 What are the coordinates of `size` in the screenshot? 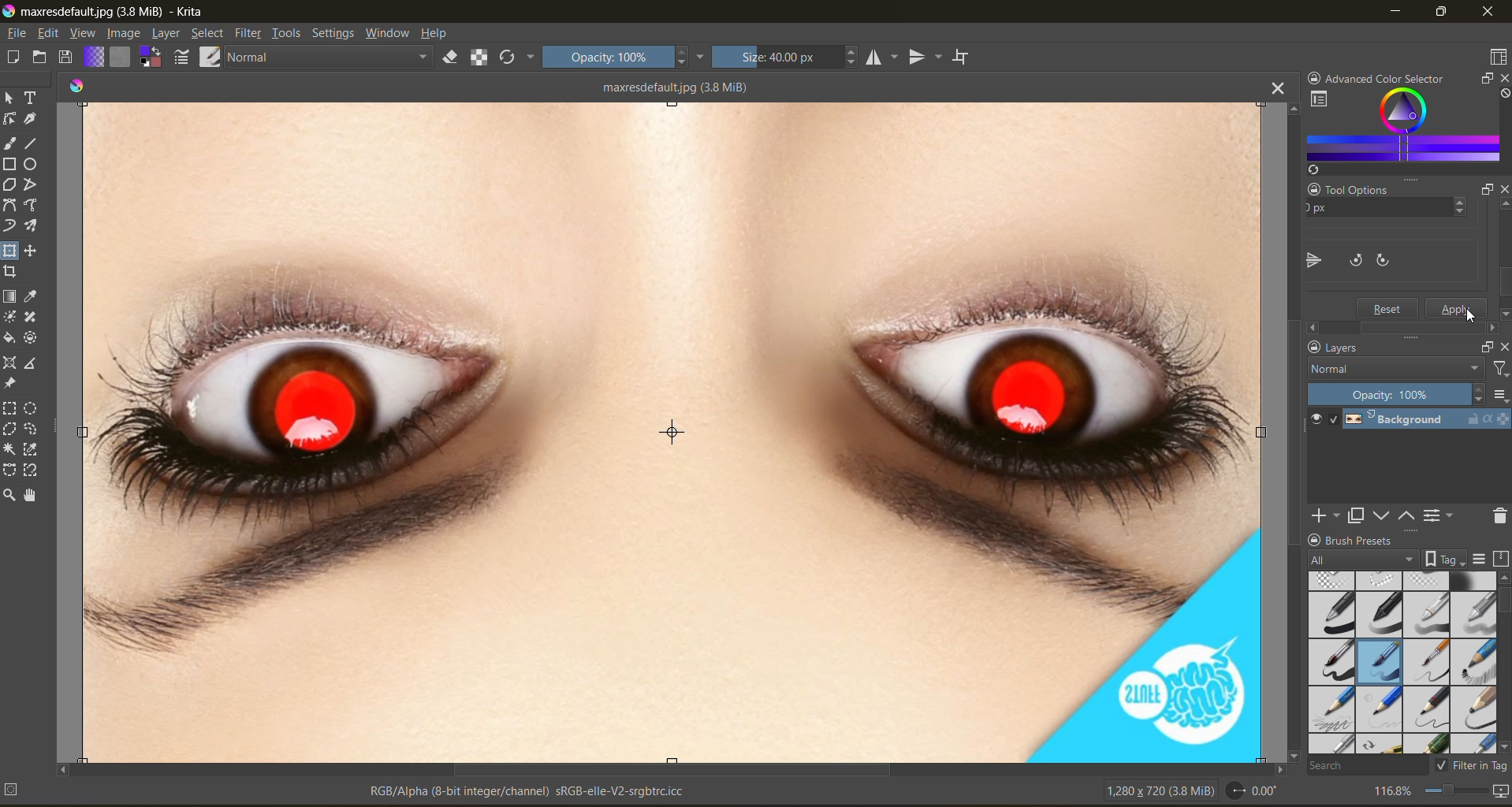 It's located at (785, 58).